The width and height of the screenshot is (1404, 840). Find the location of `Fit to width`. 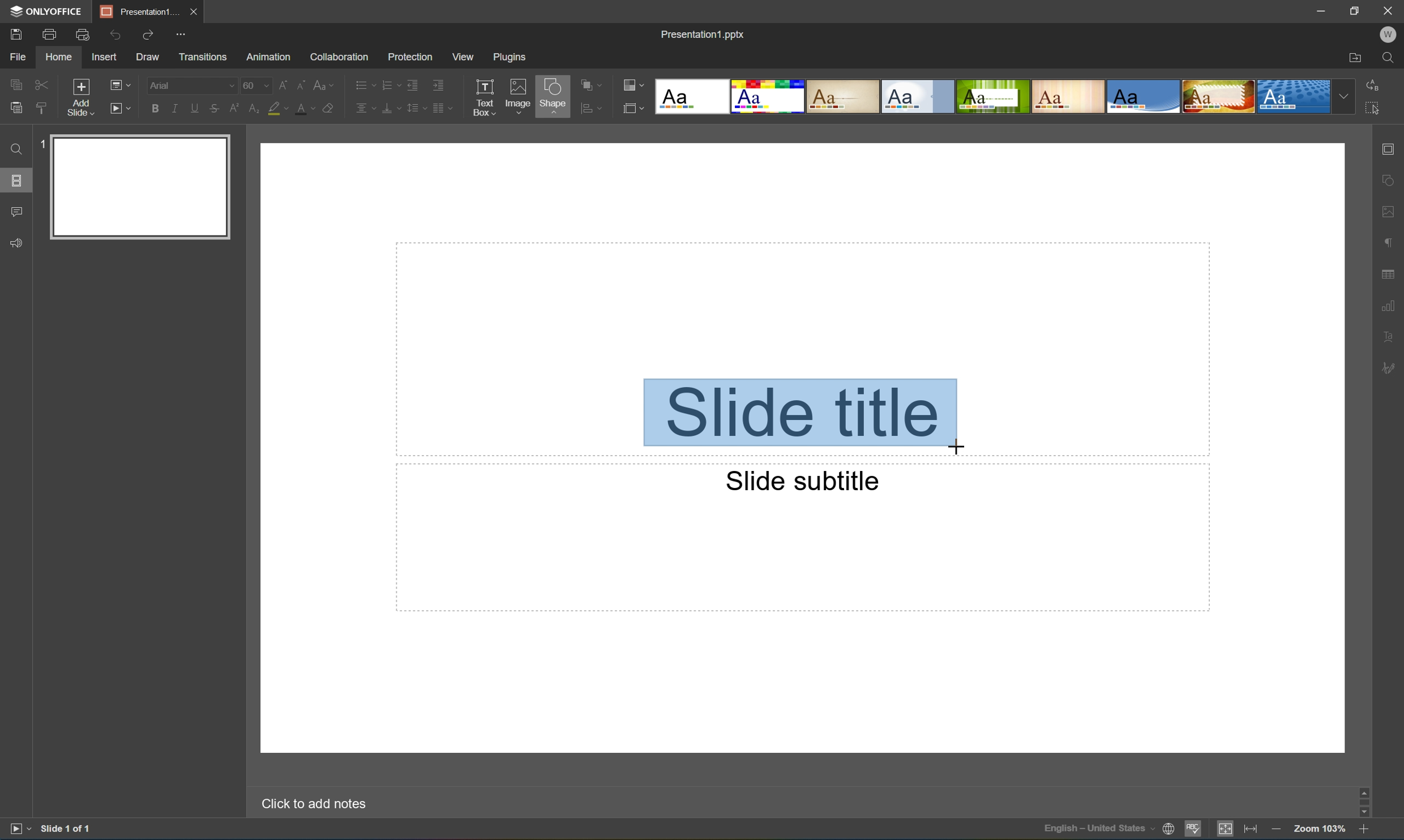

Fit to width is located at coordinates (1251, 830).